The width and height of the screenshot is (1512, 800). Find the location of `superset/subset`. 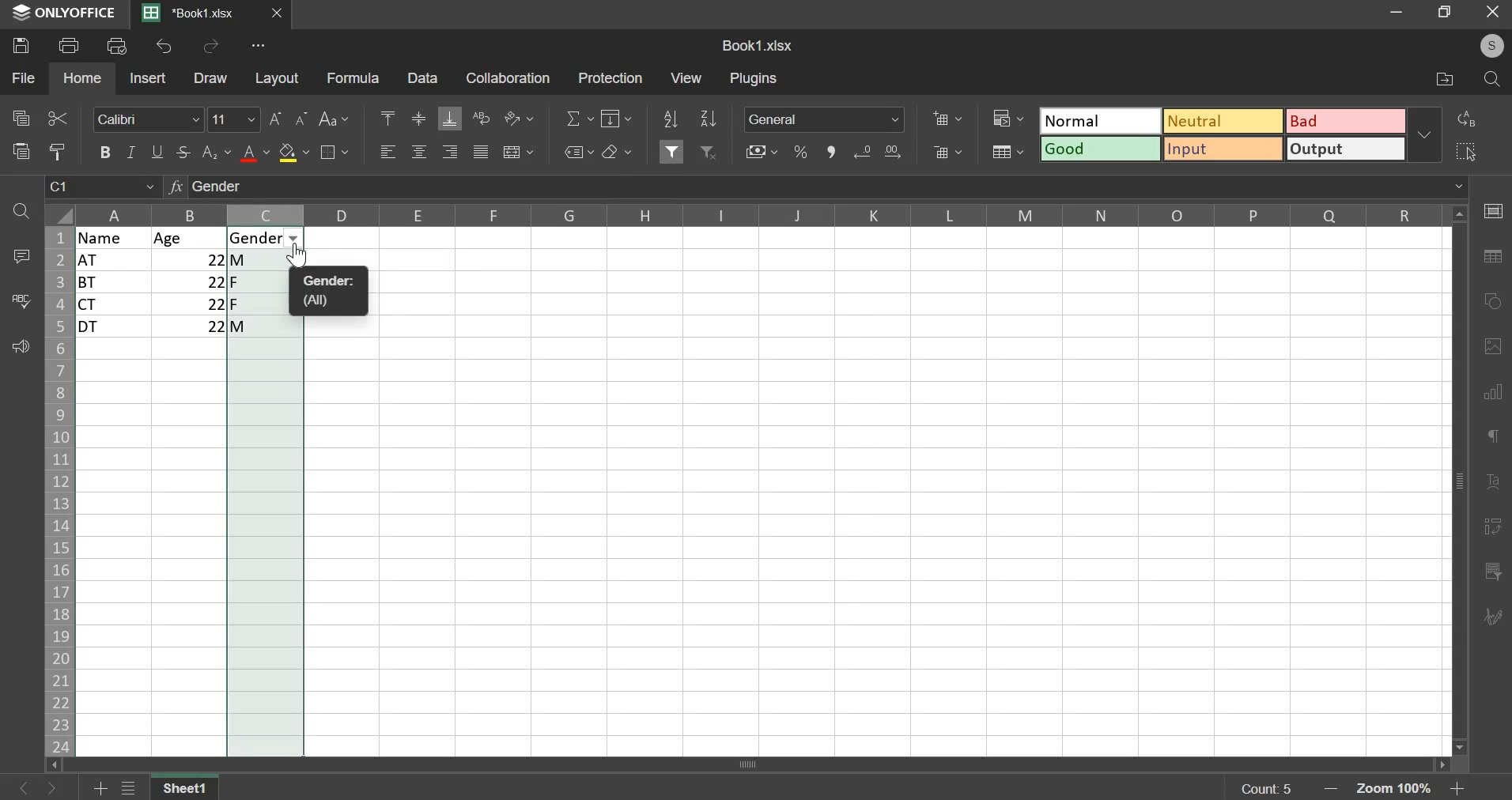

superset/subset is located at coordinates (217, 152).